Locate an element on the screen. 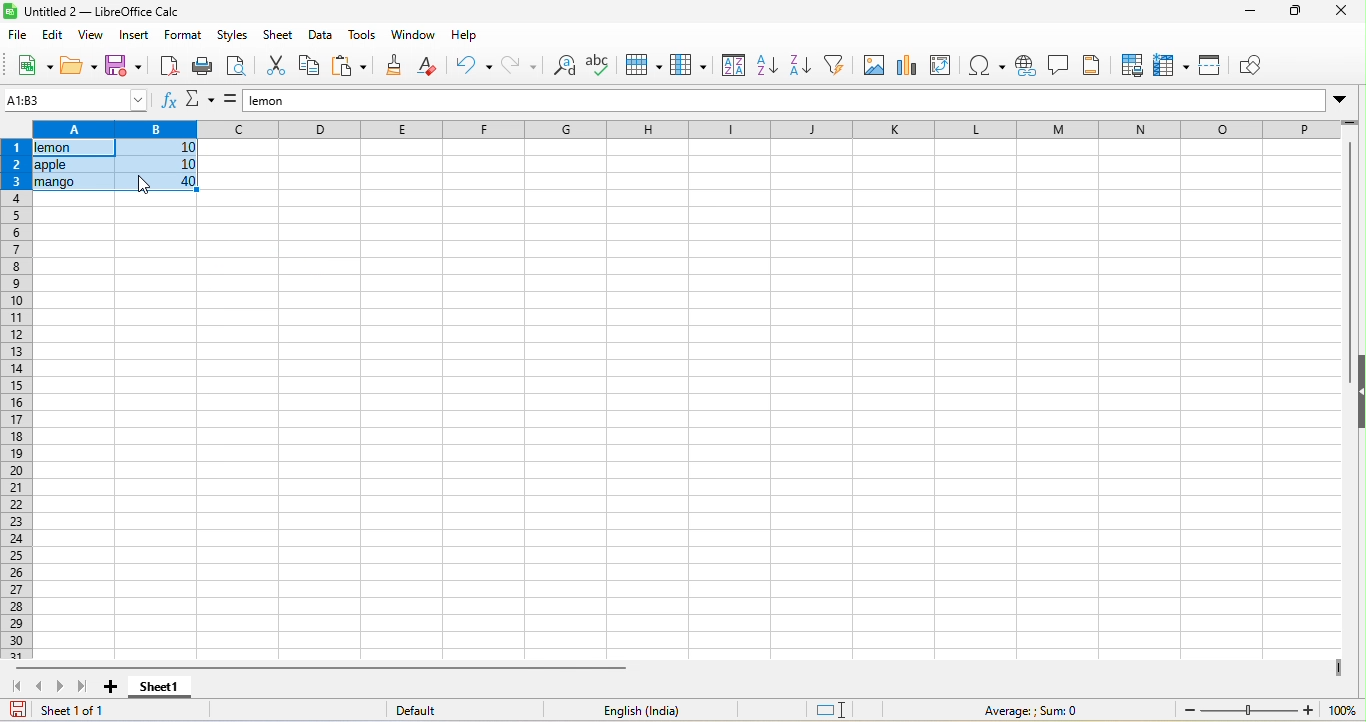 The height and width of the screenshot is (722, 1366). row is located at coordinates (648, 65).